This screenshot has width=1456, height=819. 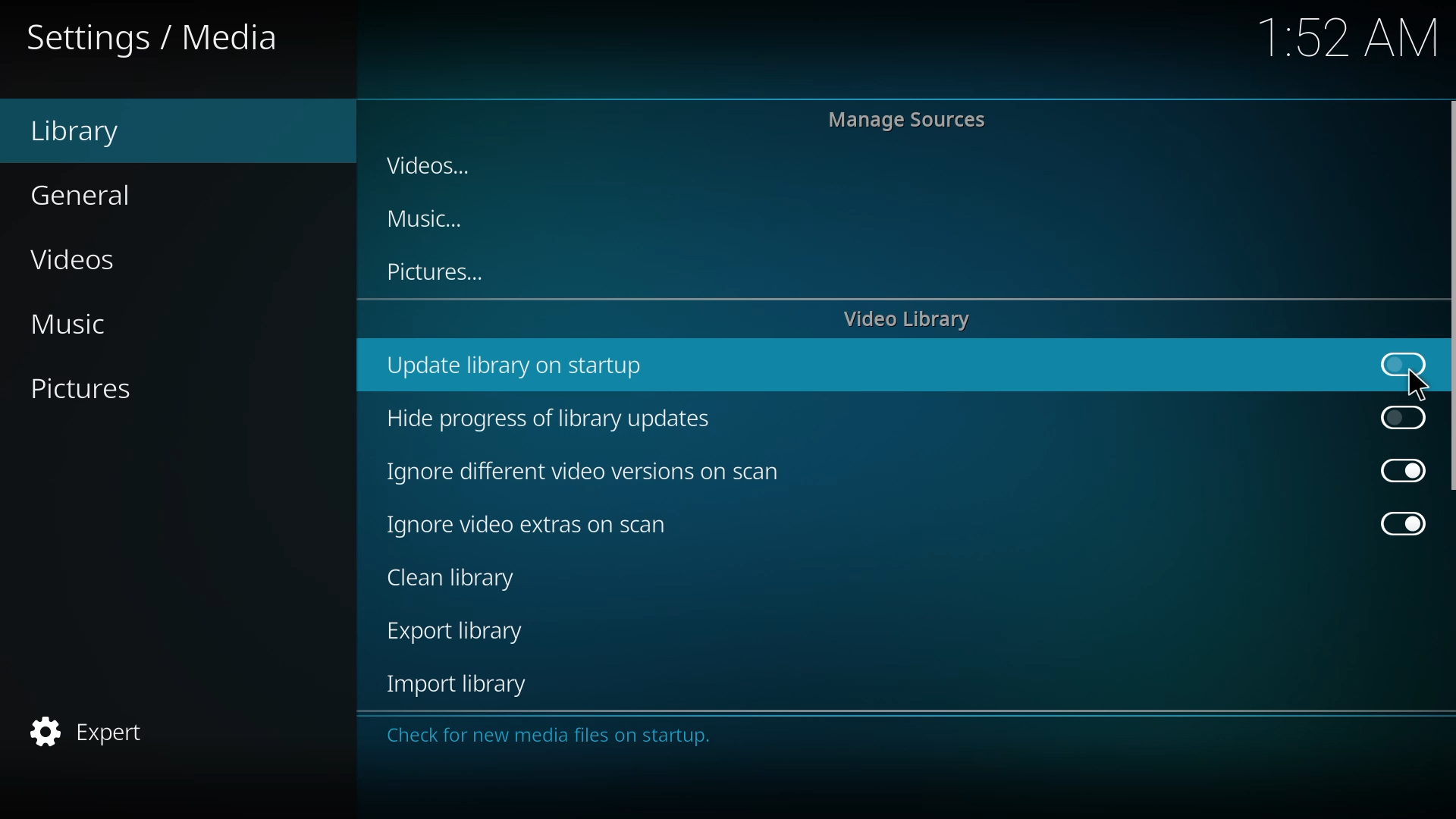 What do you see at coordinates (1395, 361) in the screenshot?
I see `click to enable` at bounding box center [1395, 361].